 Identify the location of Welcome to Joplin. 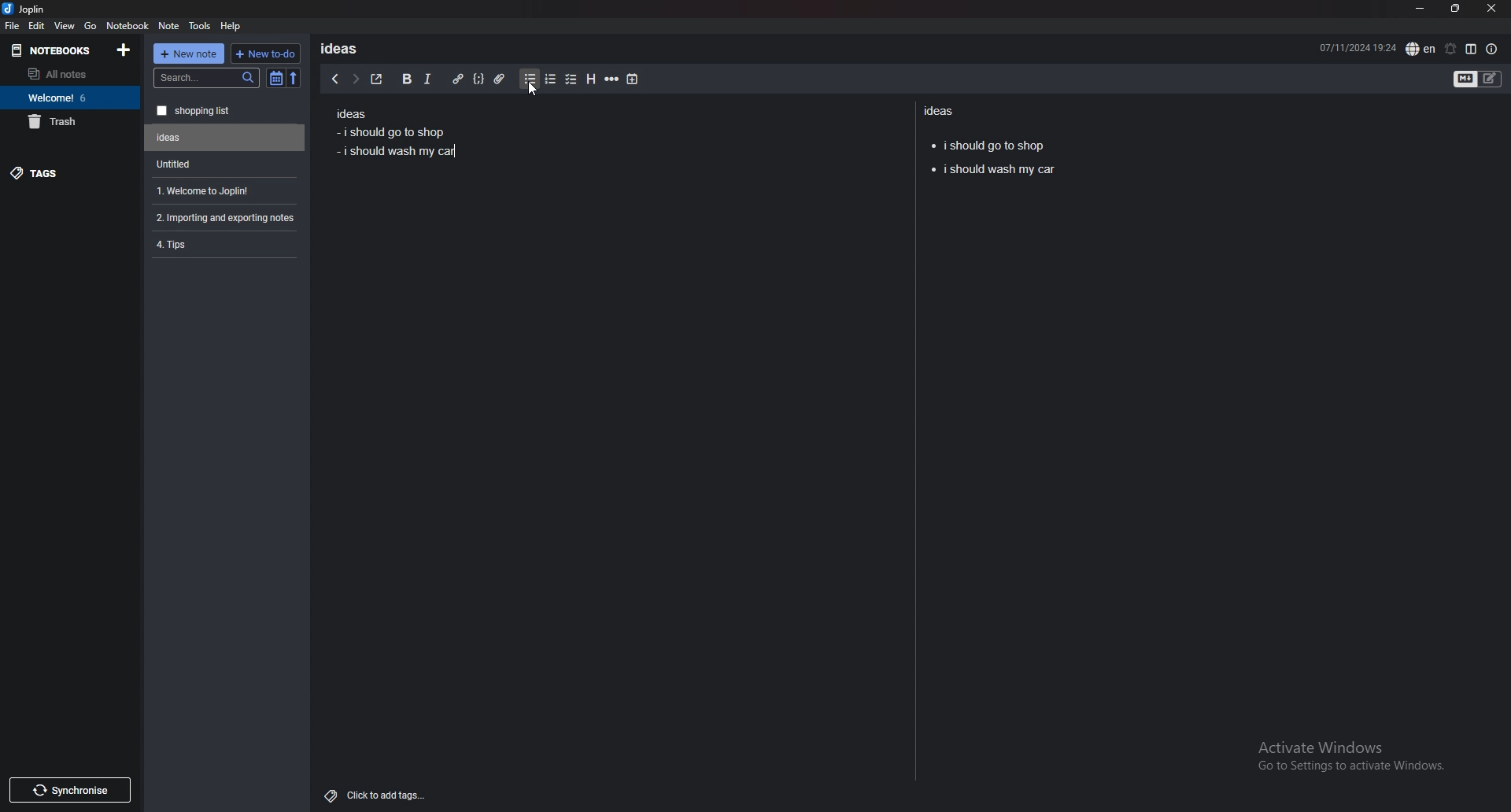
(222, 190).